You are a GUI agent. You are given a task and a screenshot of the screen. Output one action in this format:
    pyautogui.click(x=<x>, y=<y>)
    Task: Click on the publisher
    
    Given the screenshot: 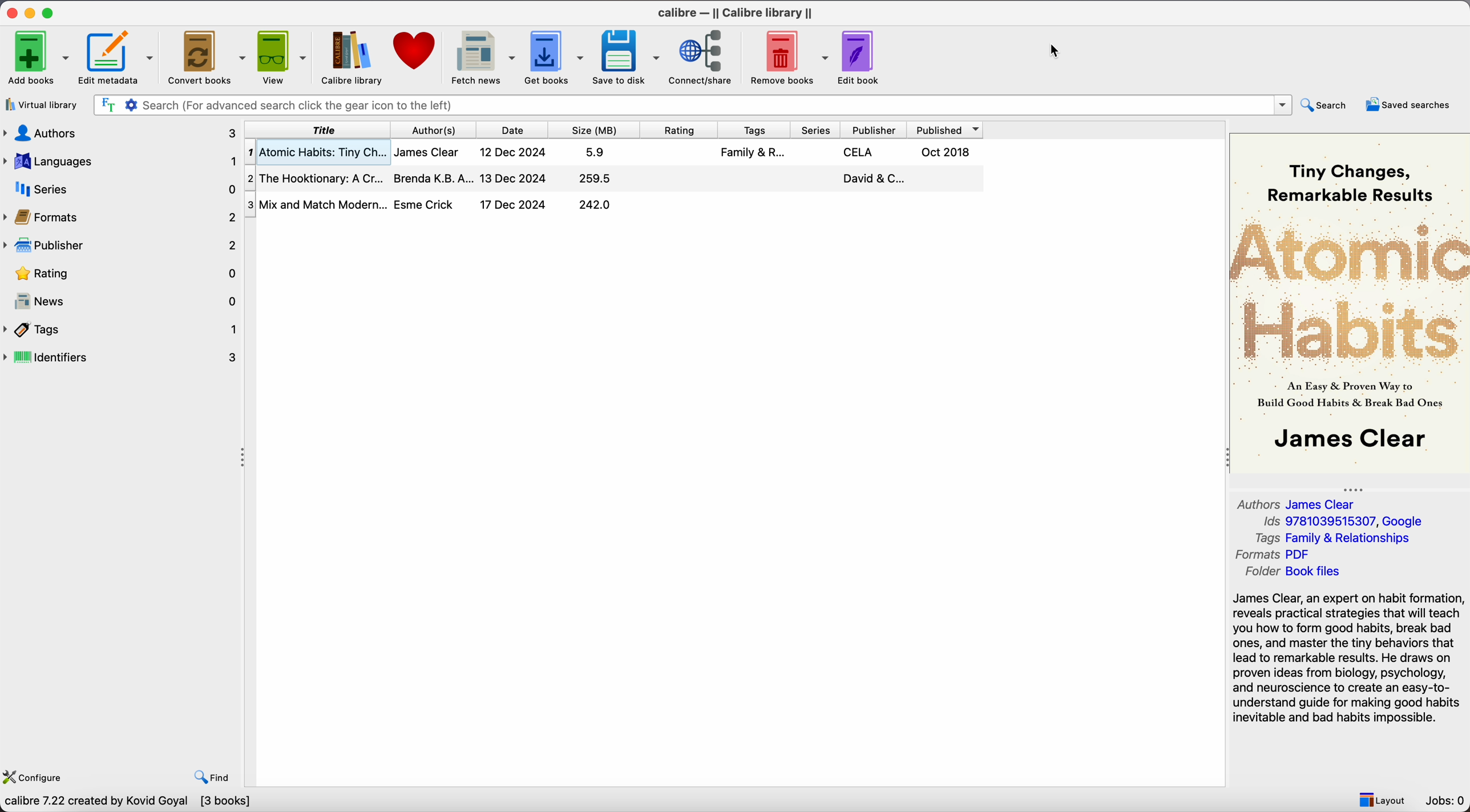 What is the action you would take?
    pyautogui.click(x=119, y=245)
    